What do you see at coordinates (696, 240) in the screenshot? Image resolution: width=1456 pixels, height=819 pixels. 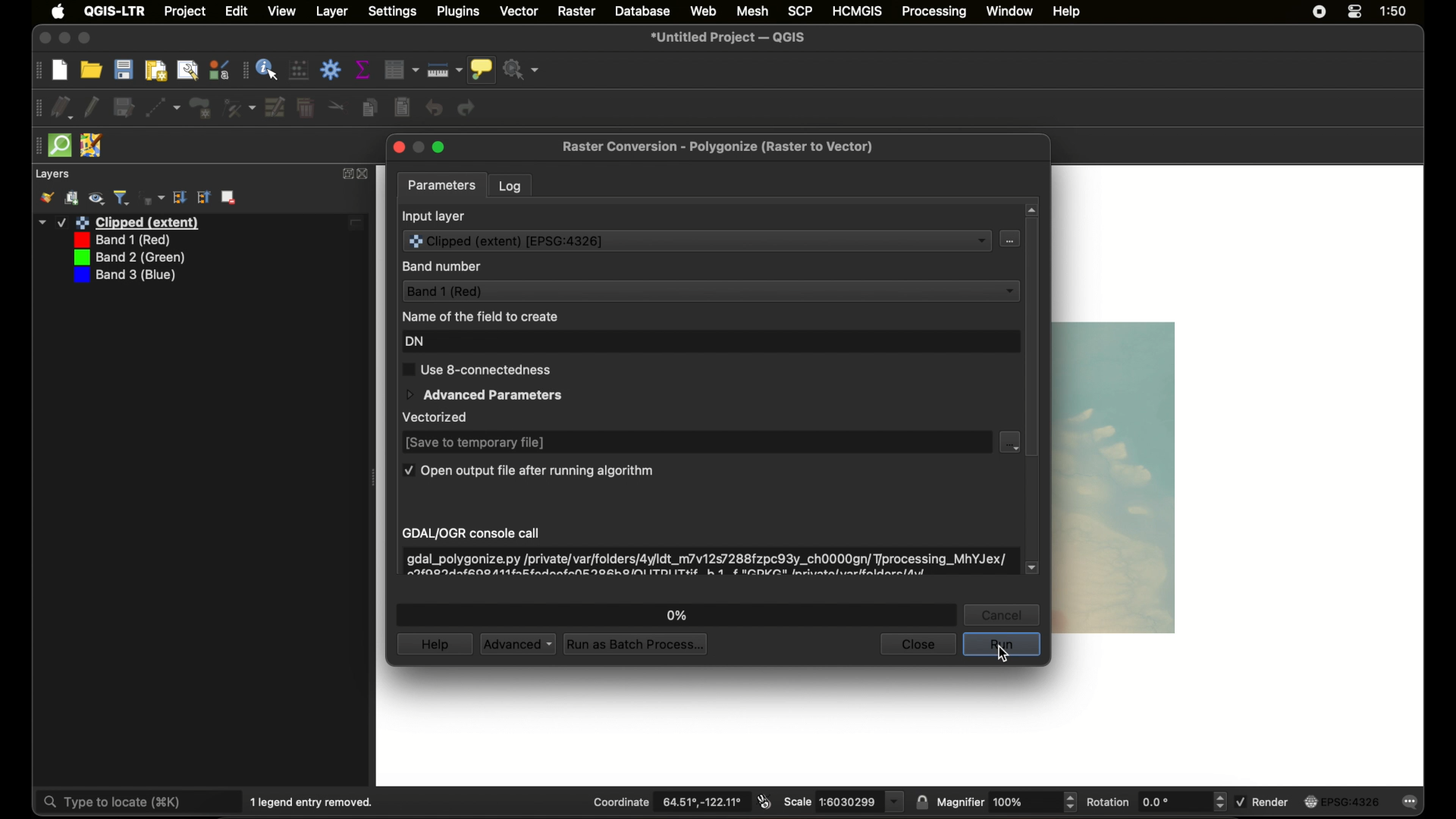 I see `input layer dropdown` at bounding box center [696, 240].